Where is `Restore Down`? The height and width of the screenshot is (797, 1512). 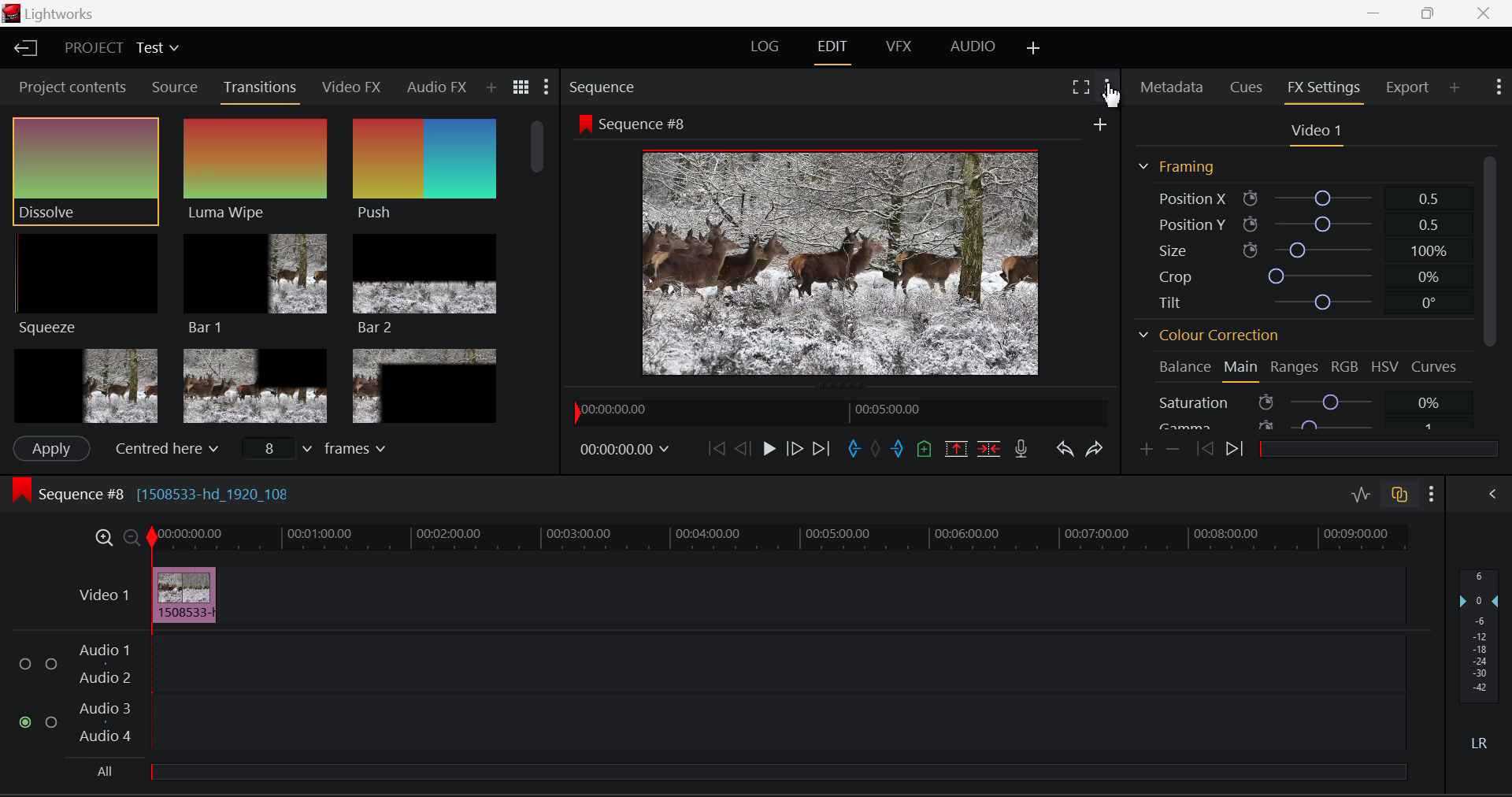 Restore Down is located at coordinates (1379, 13).